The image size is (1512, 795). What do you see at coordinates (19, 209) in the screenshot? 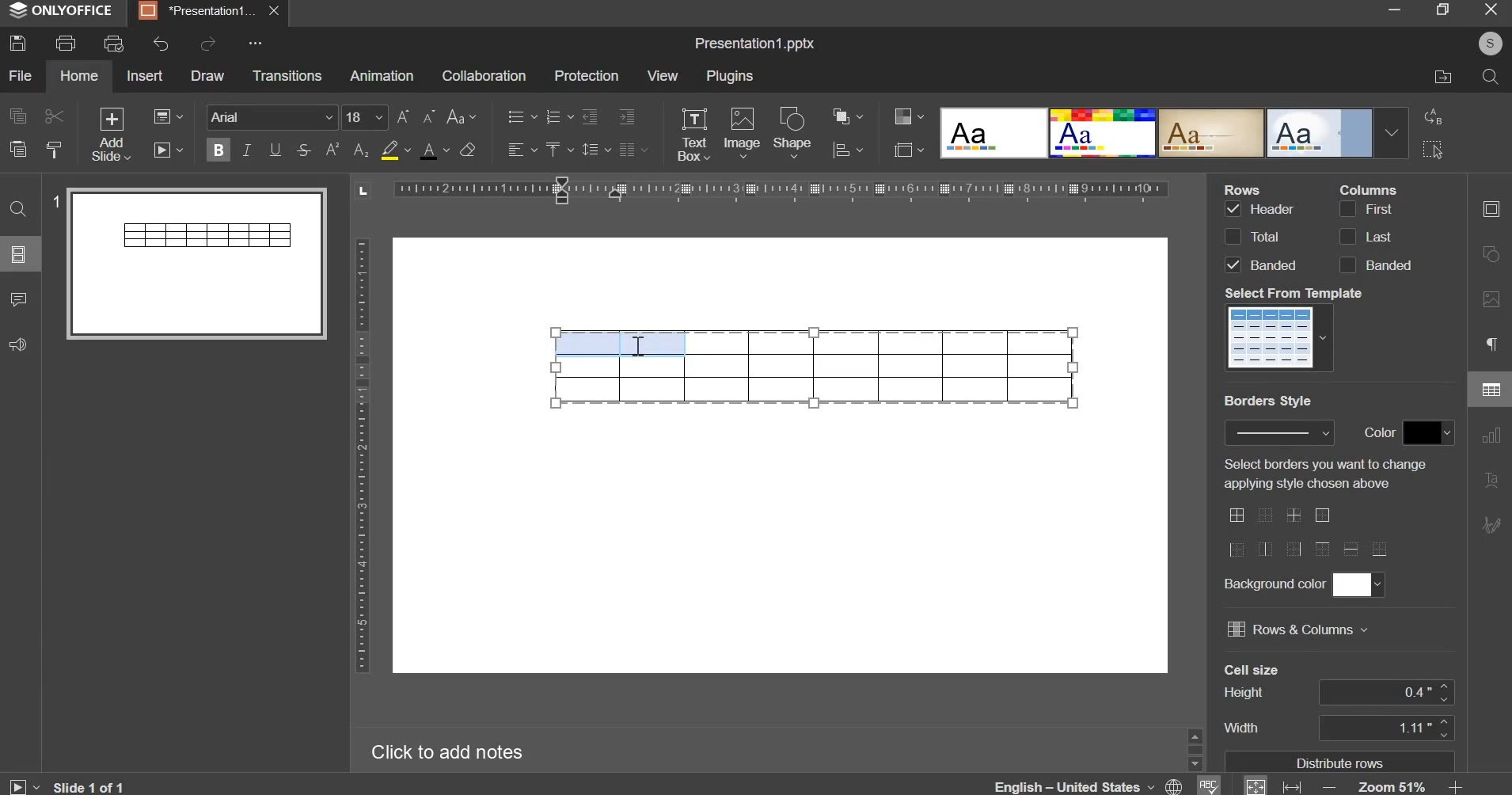
I see `find` at bounding box center [19, 209].